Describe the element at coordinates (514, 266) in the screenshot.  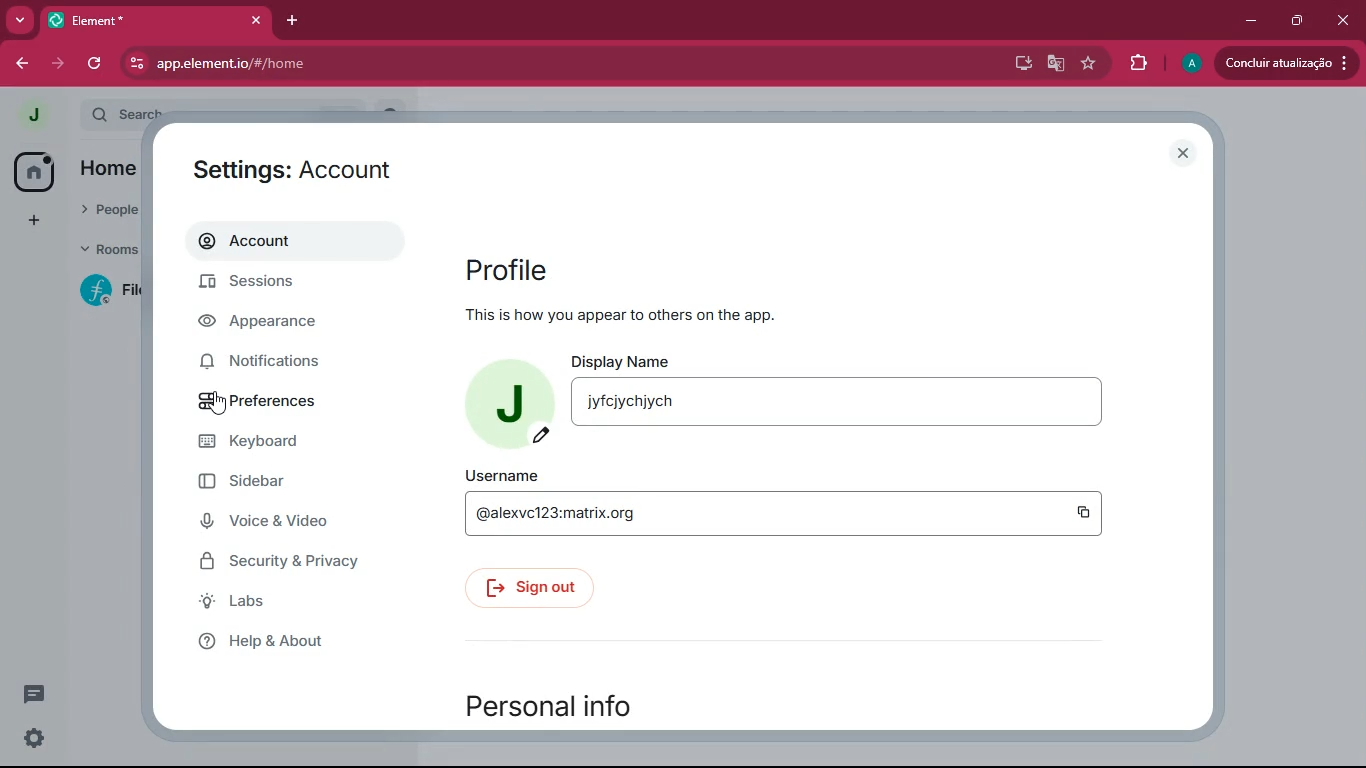
I see `profile` at that location.